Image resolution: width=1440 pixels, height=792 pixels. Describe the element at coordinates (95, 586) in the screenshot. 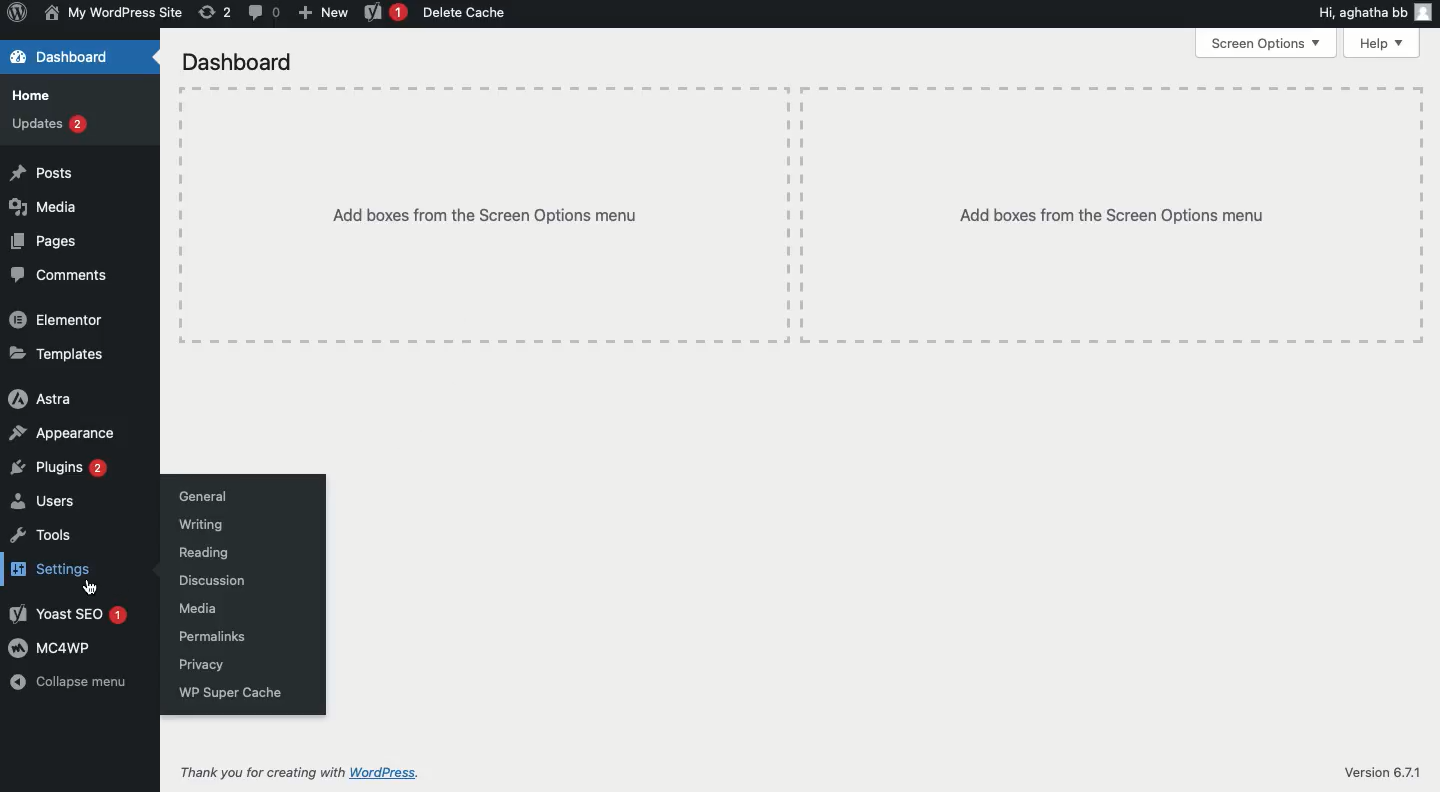

I see `cursor` at that location.